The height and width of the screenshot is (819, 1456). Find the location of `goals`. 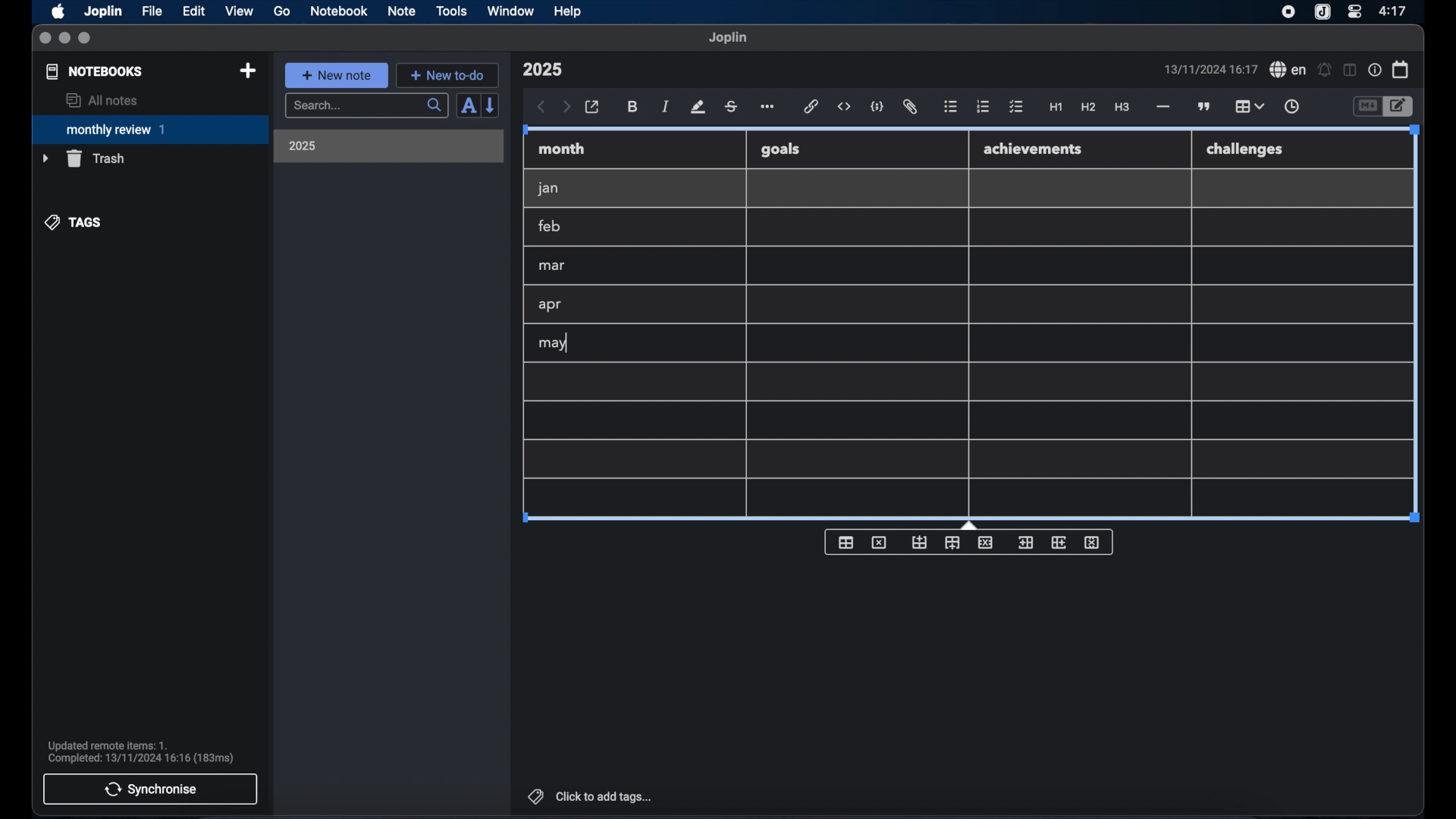

goals is located at coordinates (780, 149).